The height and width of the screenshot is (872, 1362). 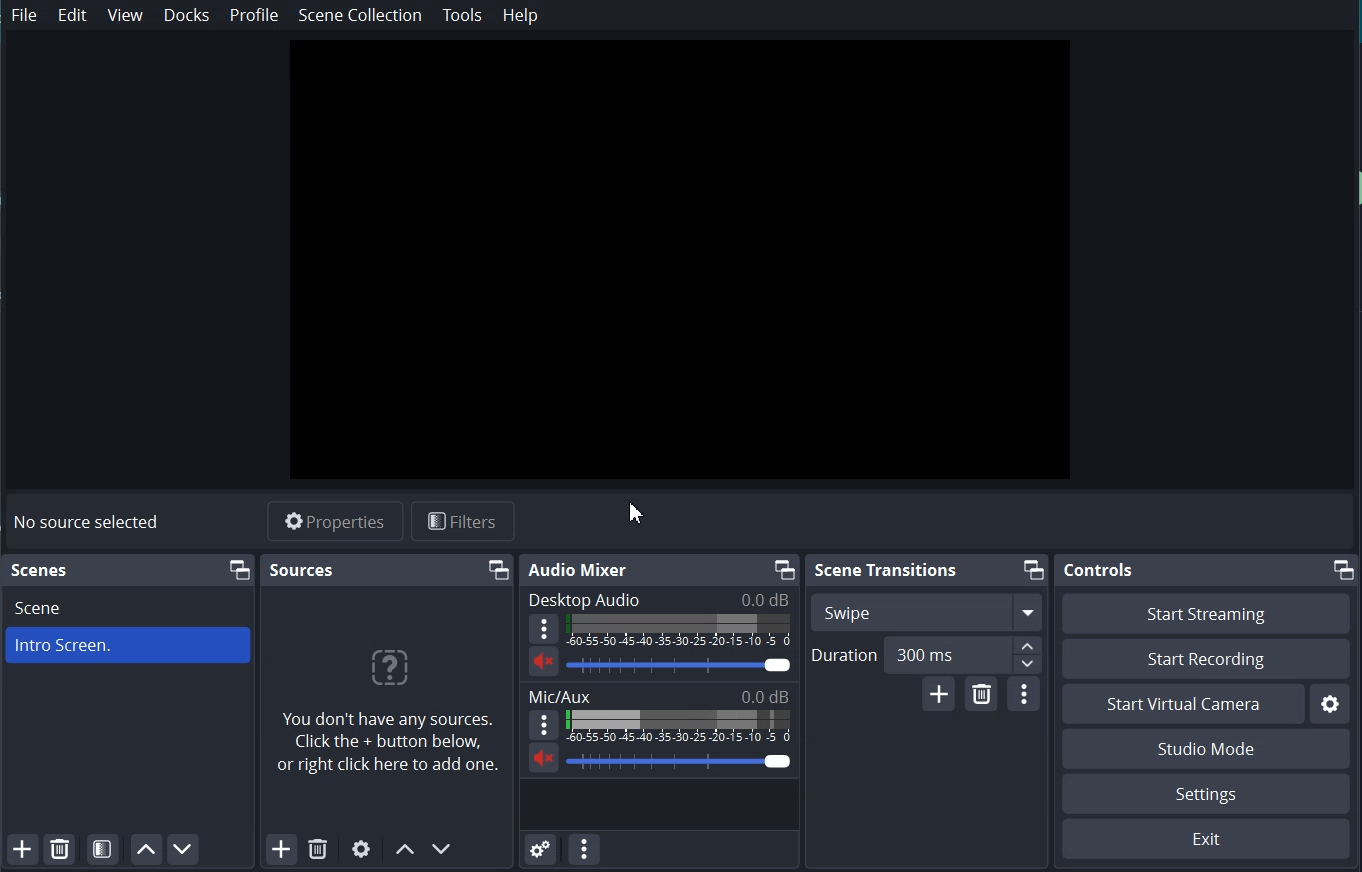 I want to click on New Scene, so click(x=130, y=649).